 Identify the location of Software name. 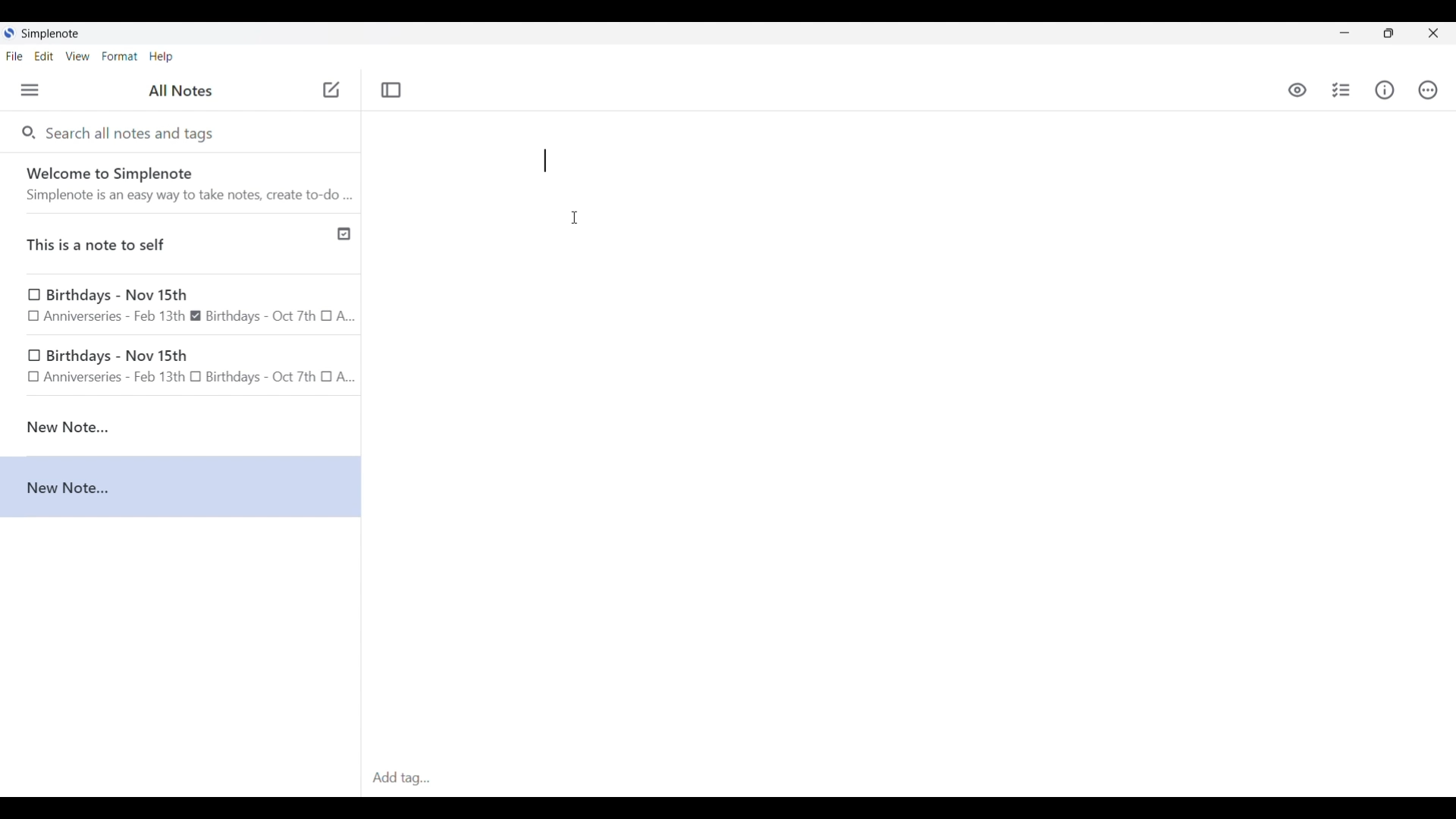
(52, 34).